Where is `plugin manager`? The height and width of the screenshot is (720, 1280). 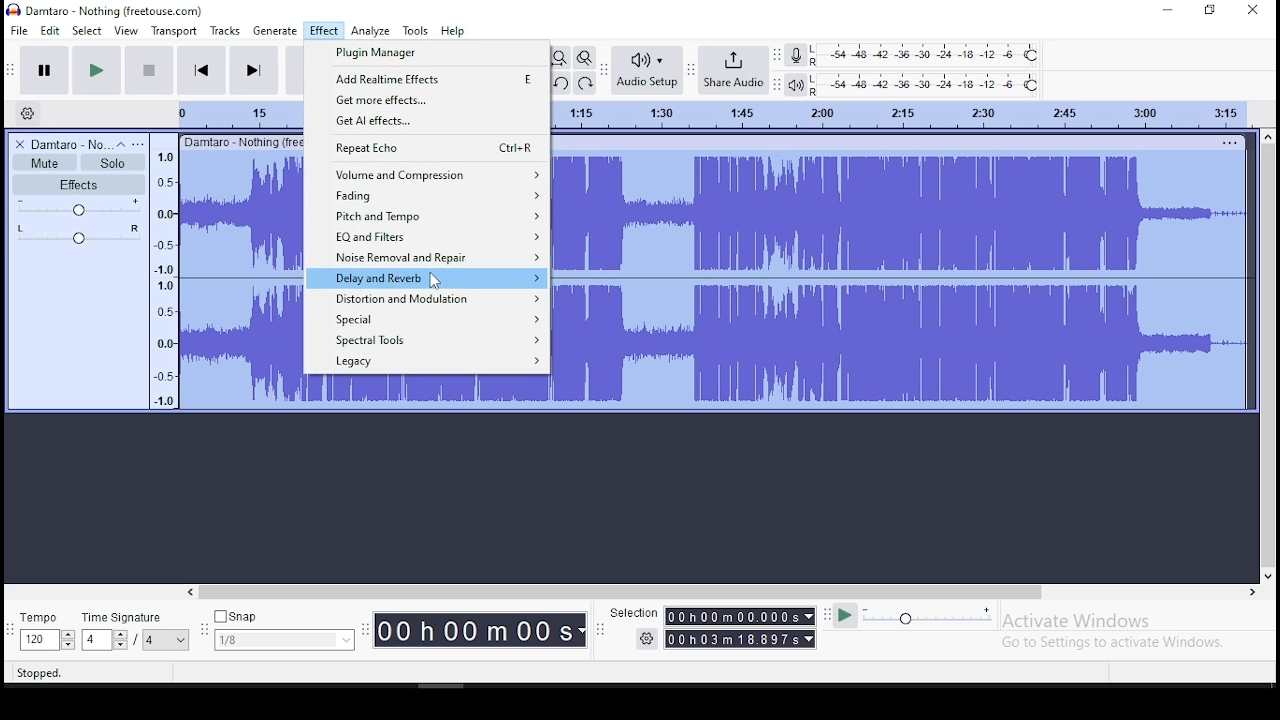 plugin manager is located at coordinates (425, 54).